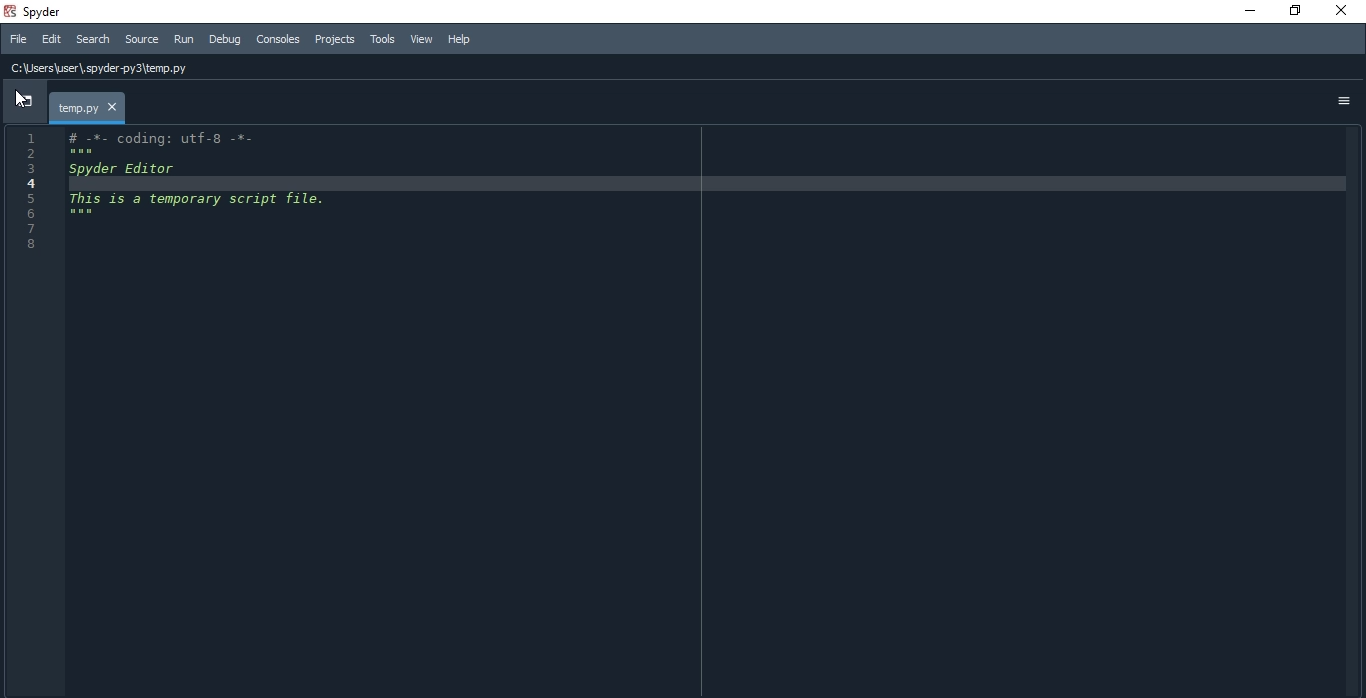 This screenshot has height=698, width=1366. I want to click on Consoles, so click(277, 39).